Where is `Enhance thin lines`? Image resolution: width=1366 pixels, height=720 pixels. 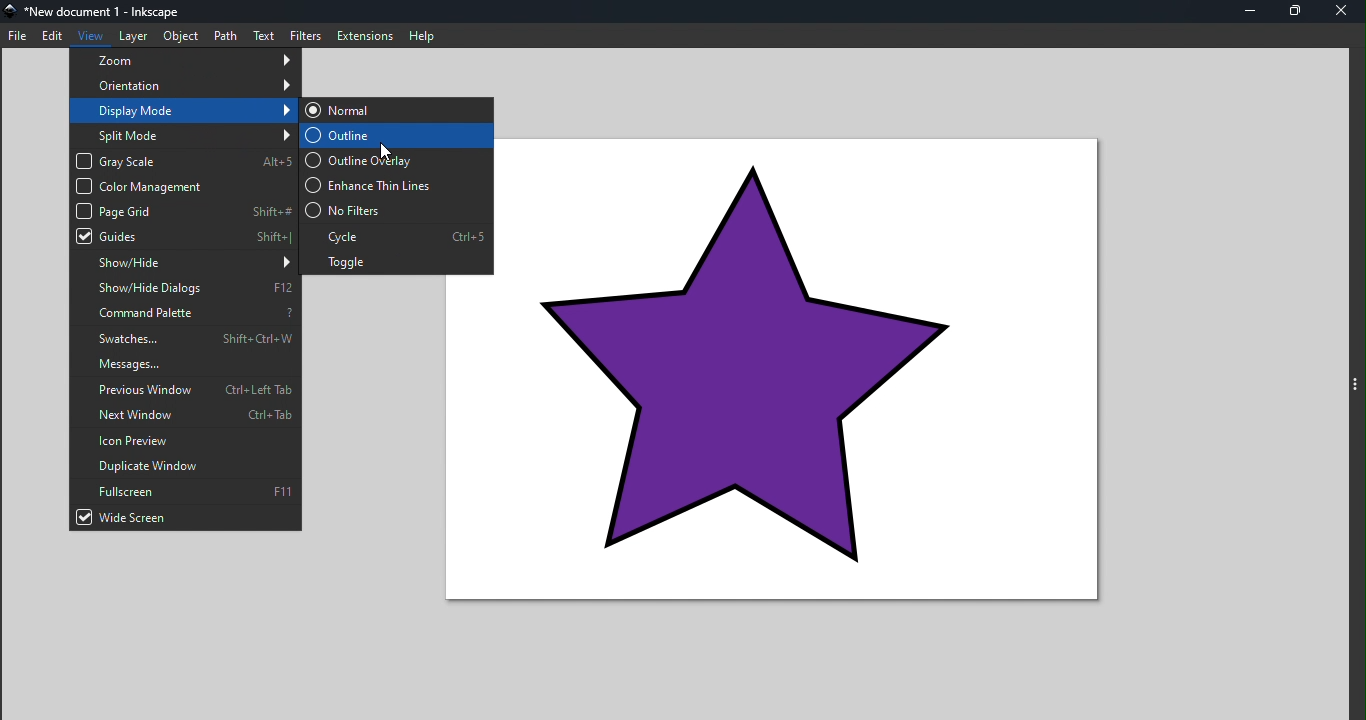 Enhance thin lines is located at coordinates (394, 185).